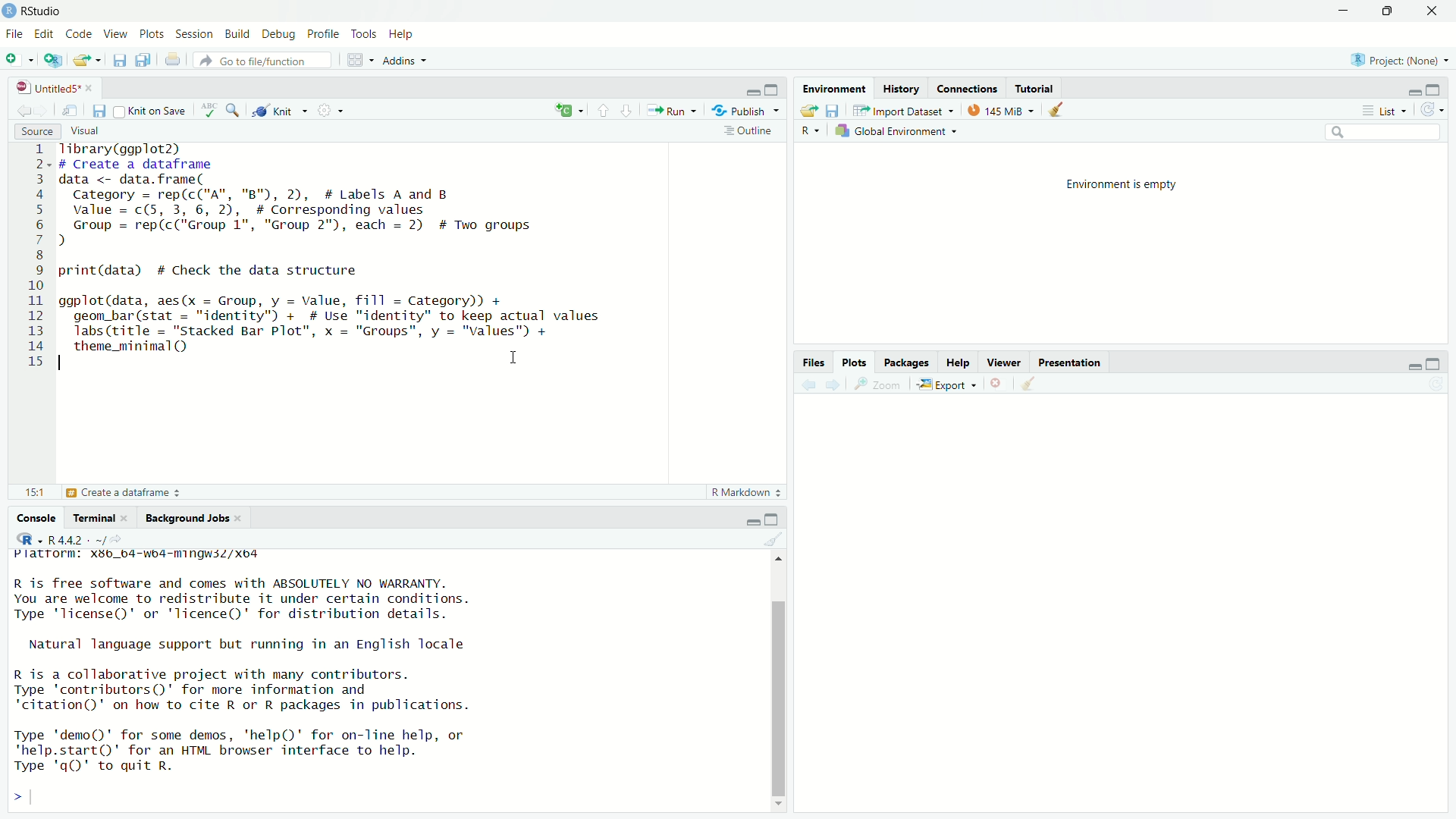  Describe the element at coordinates (802, 383) in the screenshot. I see `Go back to the previous source location (Ctrl + F9)` at that location.